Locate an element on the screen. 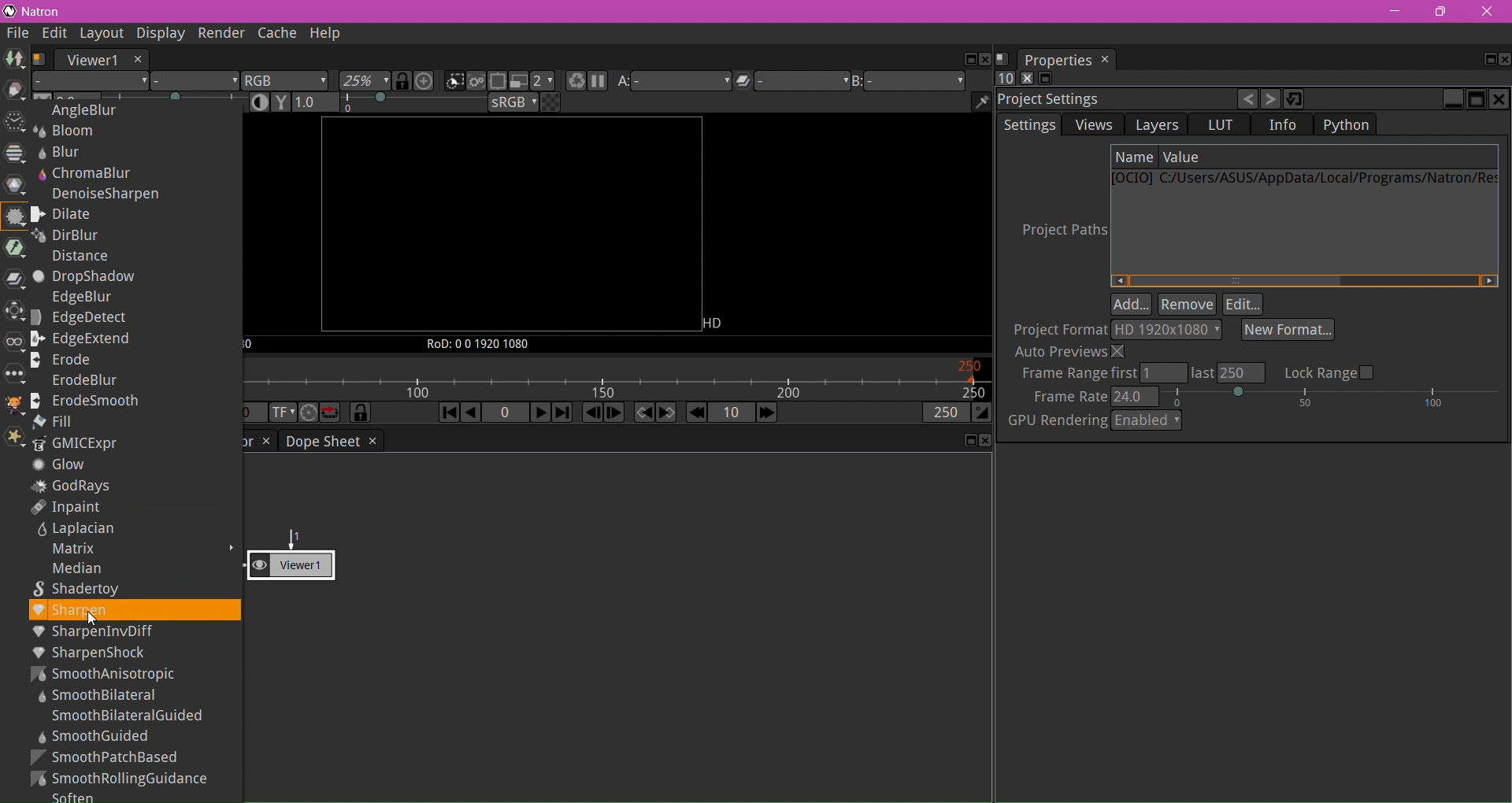  AngleBlur is located at coordinates (77, 110).